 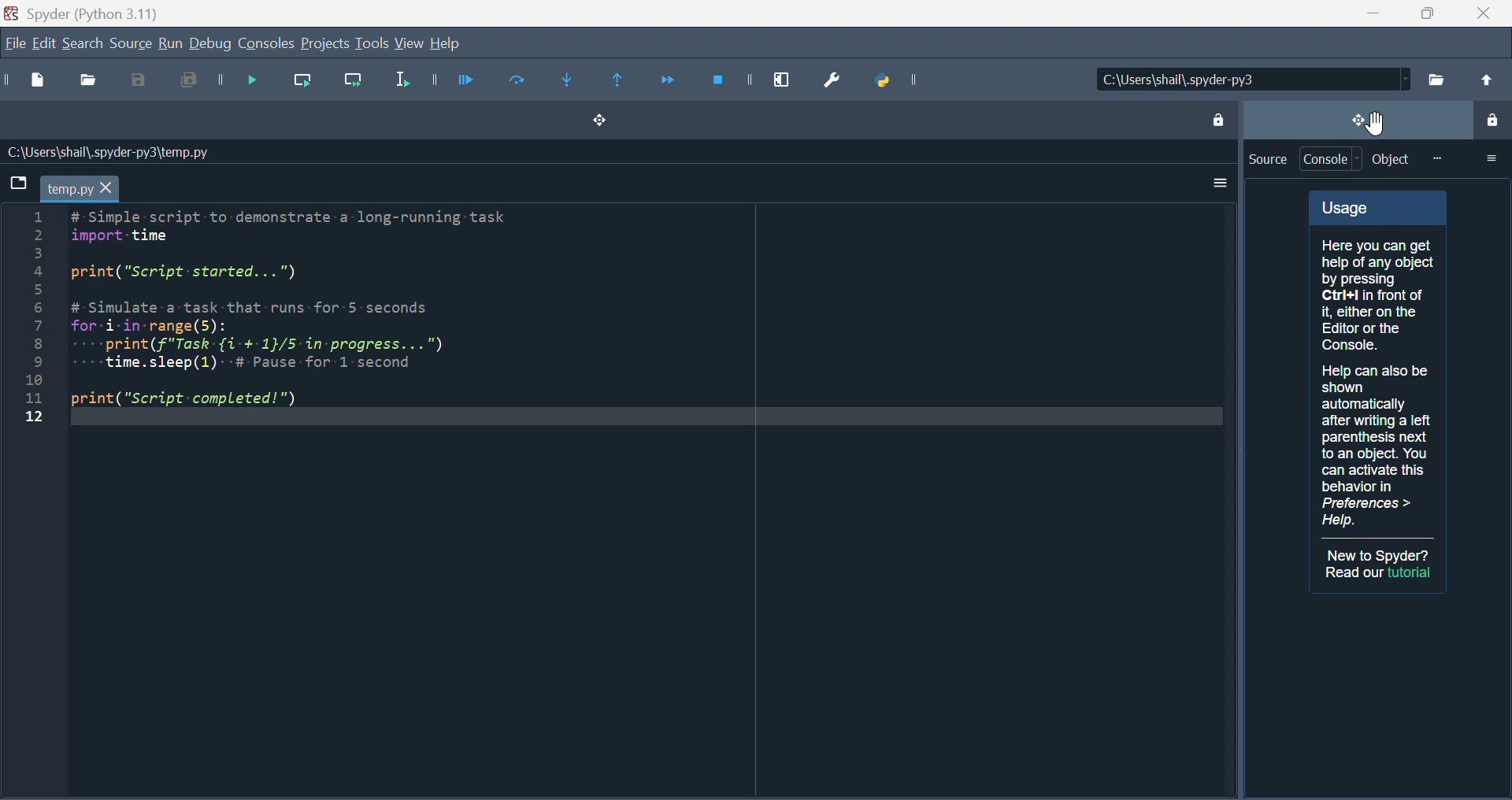 What do you see at coordinates (1378, 364) in the screenshot?
I see `Usage` at bounding box center [1378, 364].